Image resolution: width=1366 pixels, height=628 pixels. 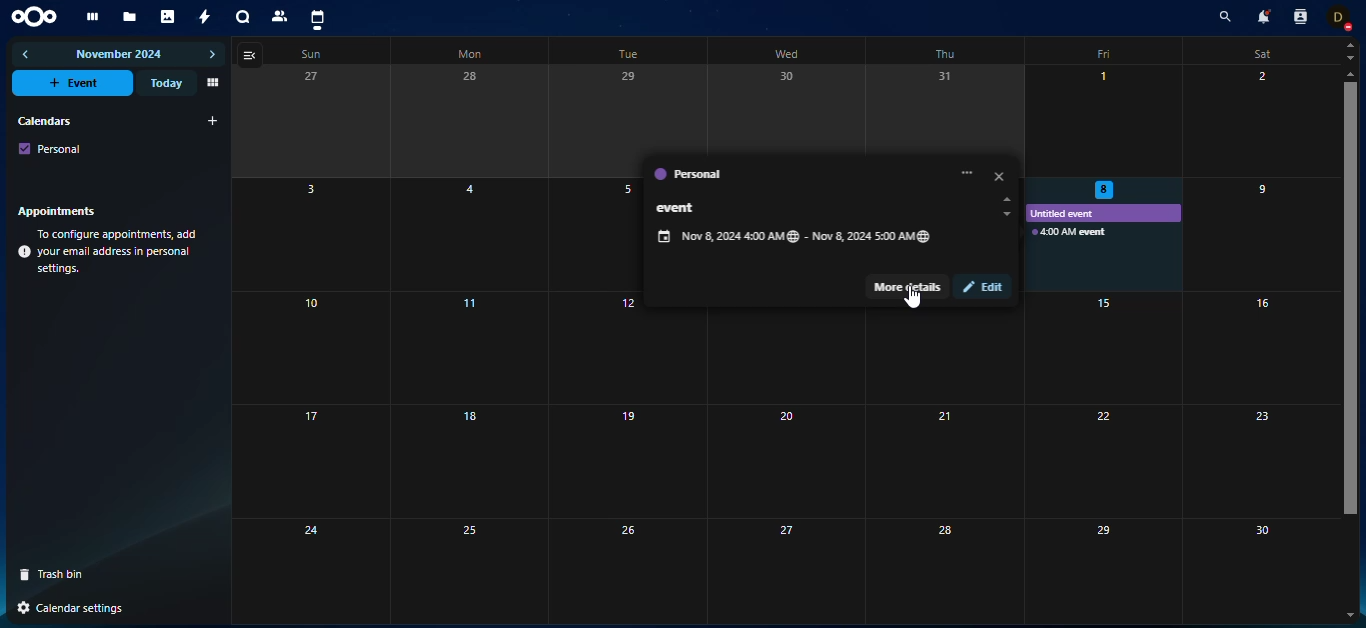 What do you see at coordinates (62, 210) in the screenshot?
I see `appointments` at bounding box center [62, 210].